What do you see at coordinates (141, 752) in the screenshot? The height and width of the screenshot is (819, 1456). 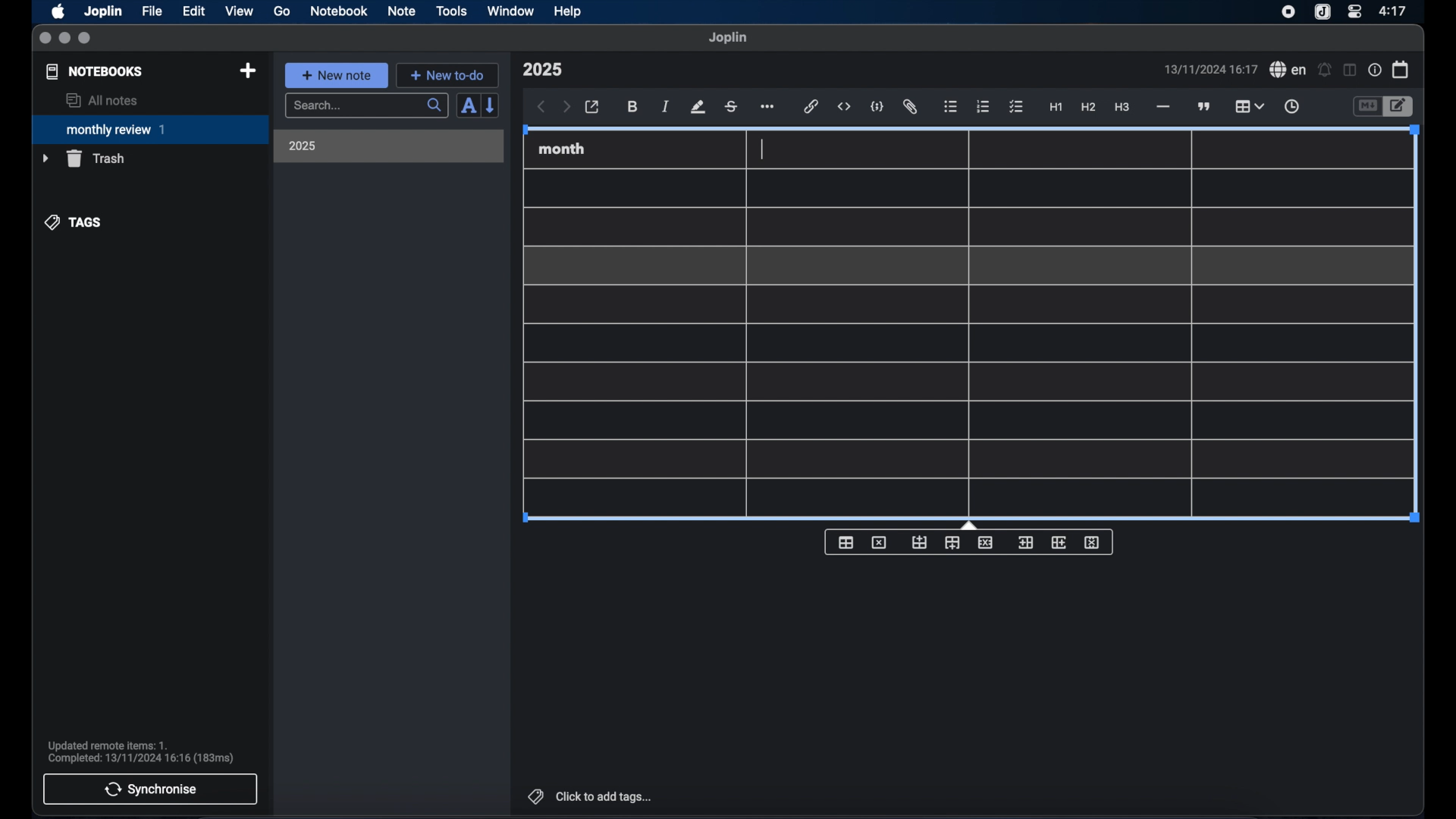 I see `sync notification` at bounding box center [141, 752].